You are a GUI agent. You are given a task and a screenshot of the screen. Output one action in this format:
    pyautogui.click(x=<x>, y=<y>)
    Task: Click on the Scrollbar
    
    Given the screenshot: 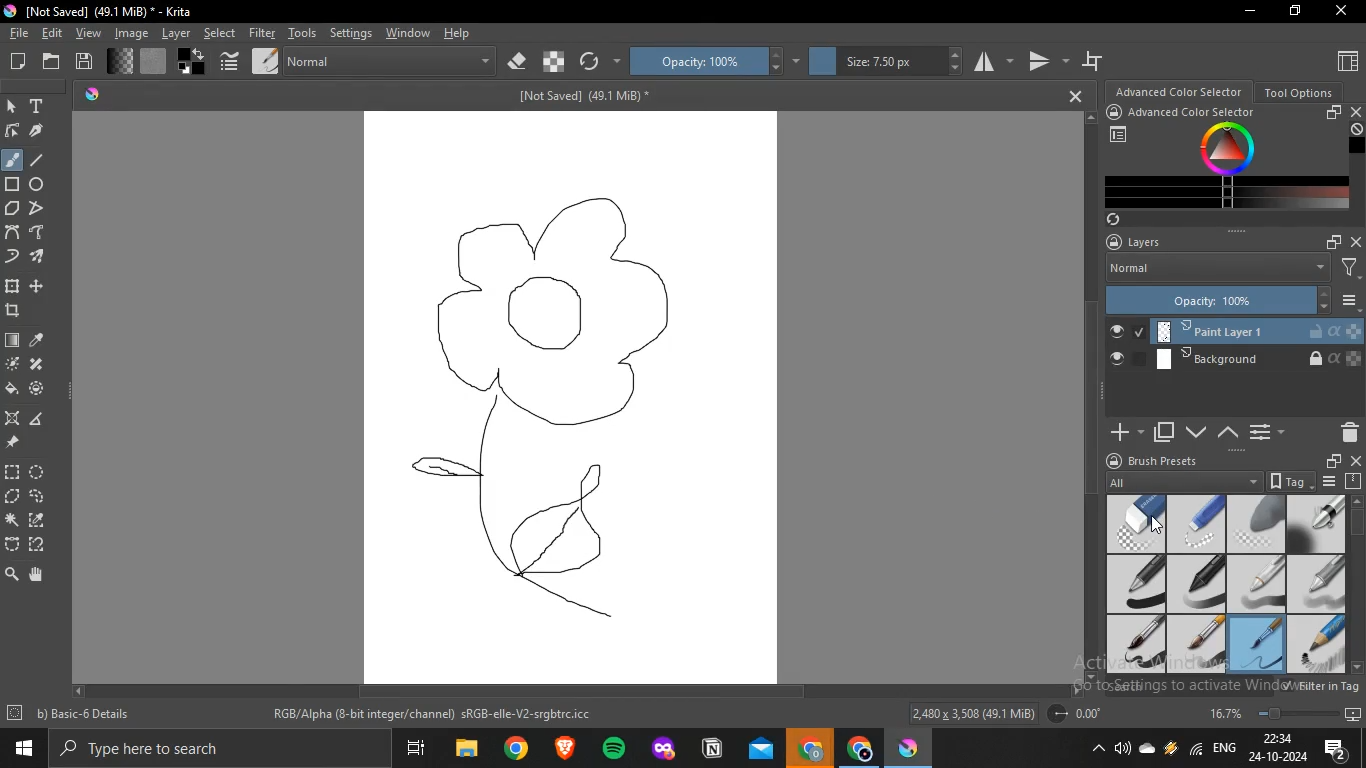 What is the action you would take?
    pyautogui.click(x=578, y=694)
    